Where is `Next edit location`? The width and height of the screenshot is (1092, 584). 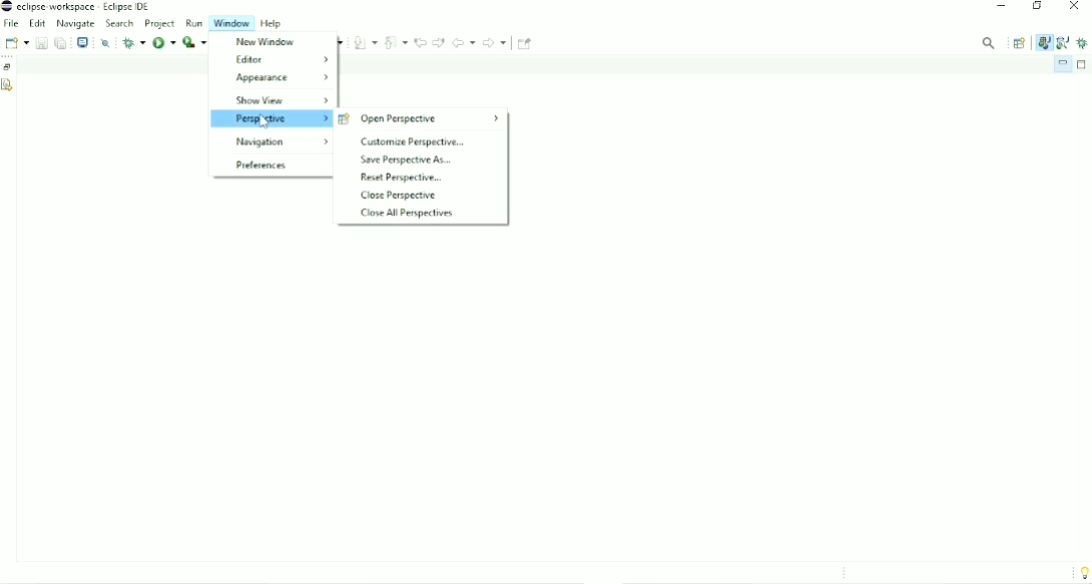 Next edit location is located at coordinates (438, 42).